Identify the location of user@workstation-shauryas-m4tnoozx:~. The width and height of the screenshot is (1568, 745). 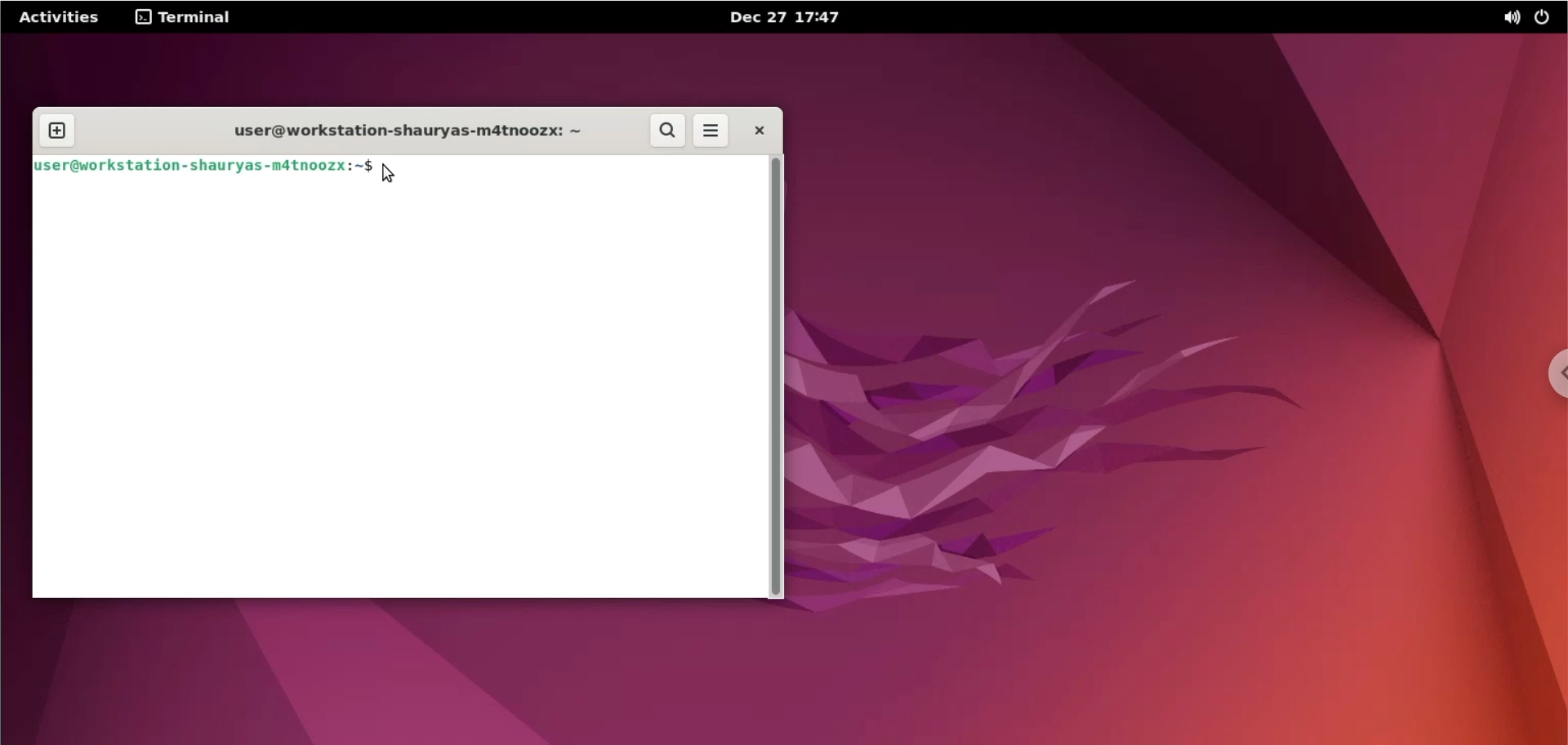
(400, 127).